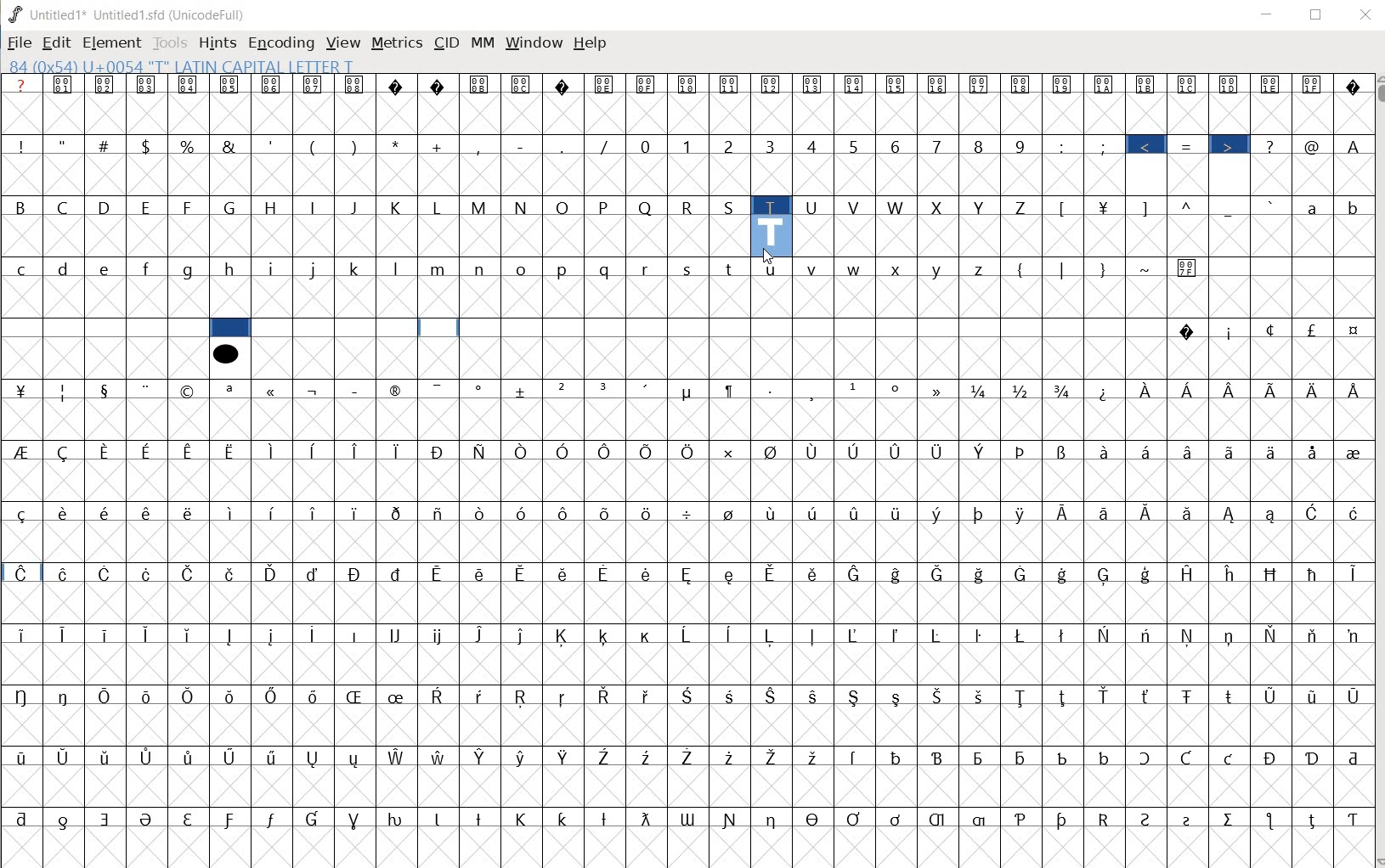  I want to click on Symbol, so click(772, 756).